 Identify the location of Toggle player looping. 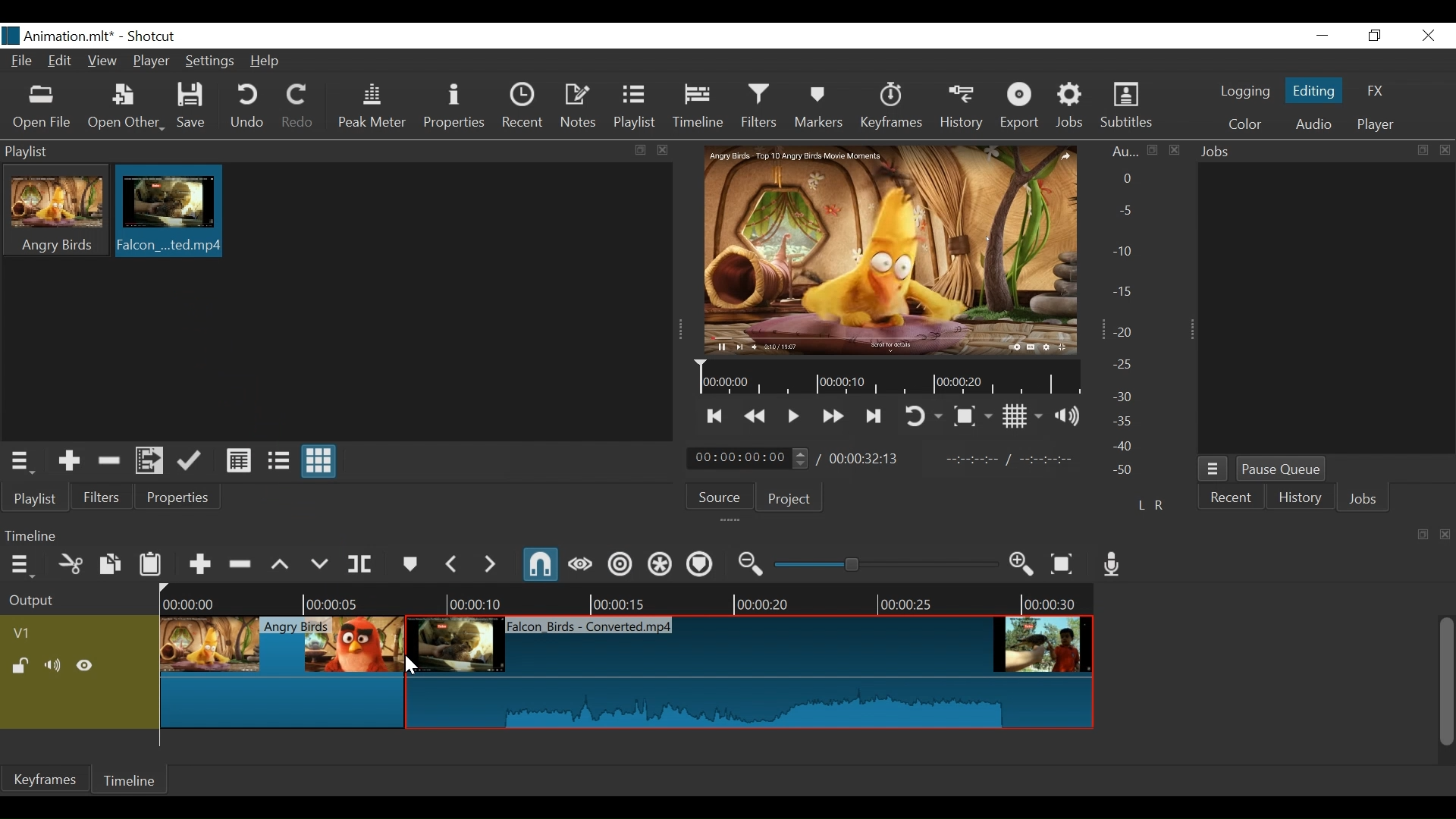
(922, 418).